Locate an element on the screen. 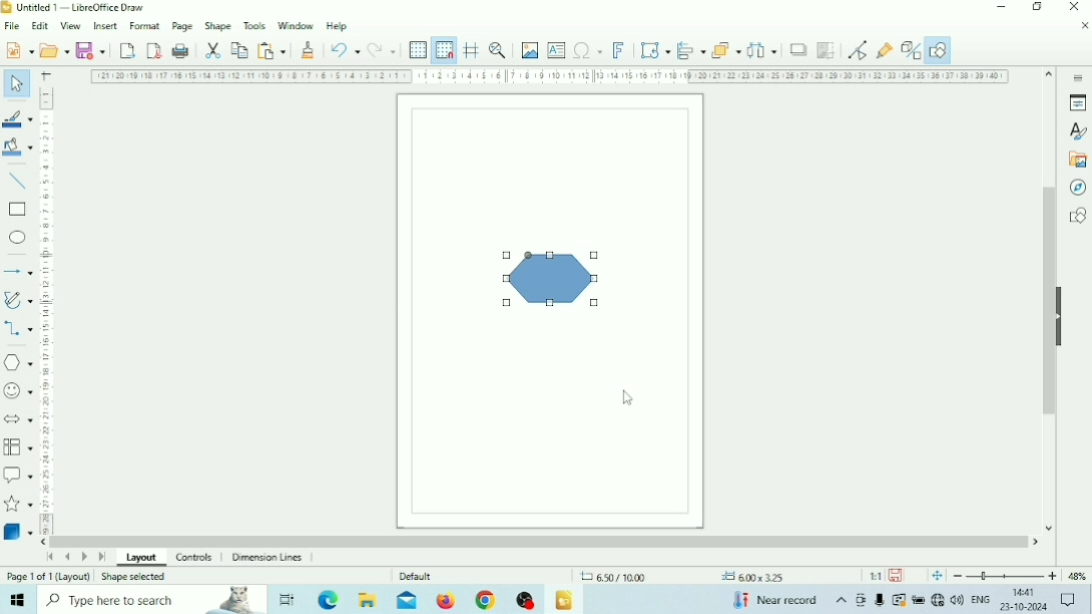  Date is located at coordinates (1024, 607).